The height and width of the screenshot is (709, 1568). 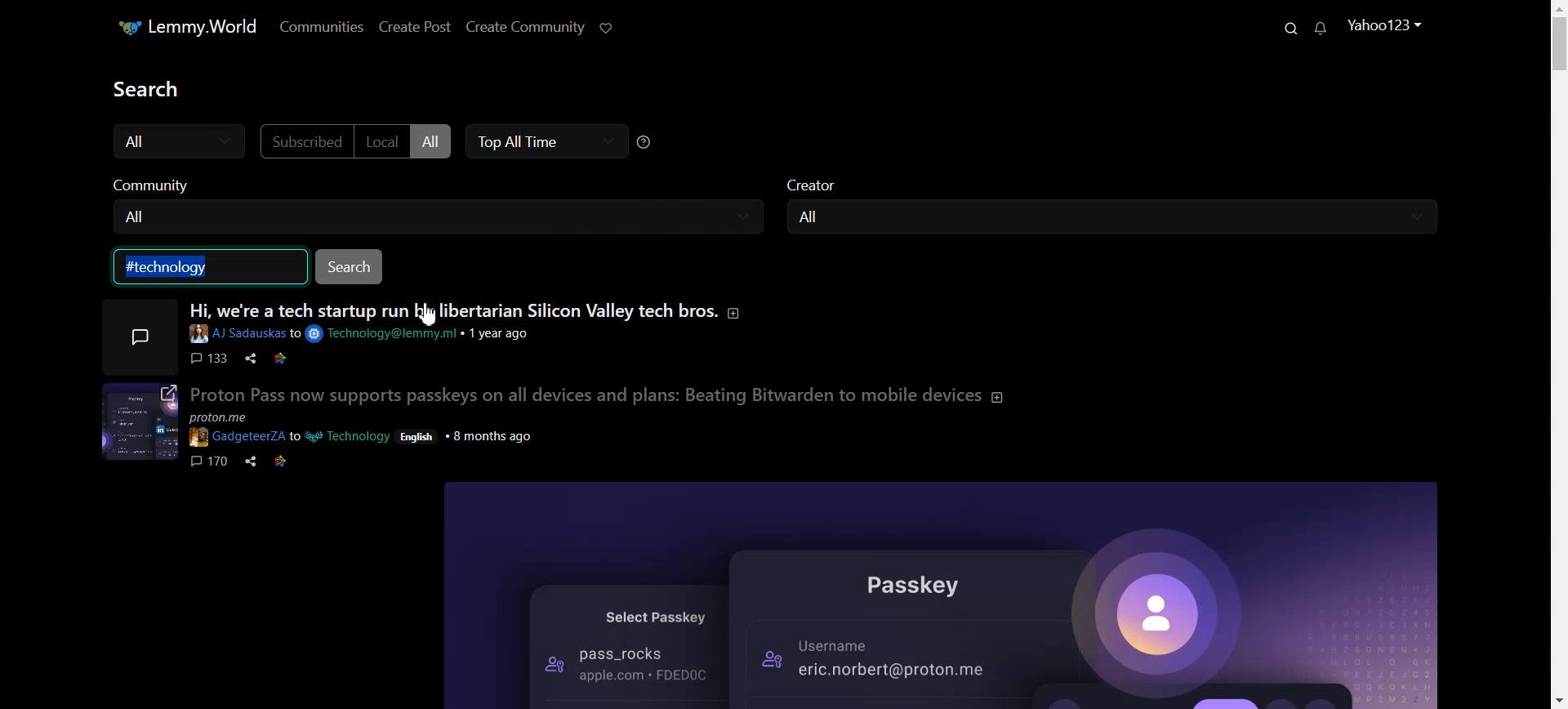 What do you see at coordinates (188, 27) in the screenshot?
I see `Home page` at bounding box center [188, 27].